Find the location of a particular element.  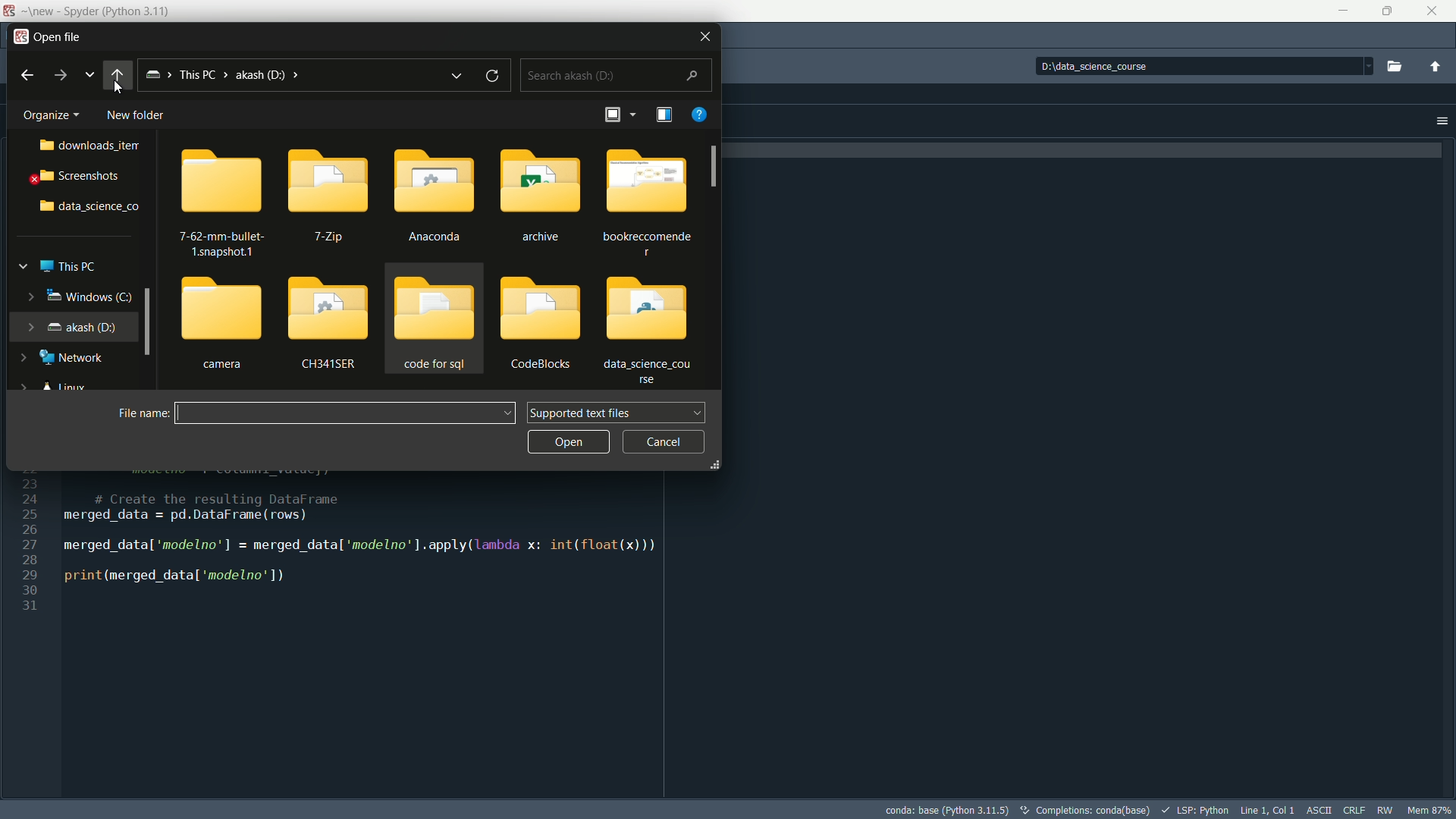

open is located at coordinates (564, 441).